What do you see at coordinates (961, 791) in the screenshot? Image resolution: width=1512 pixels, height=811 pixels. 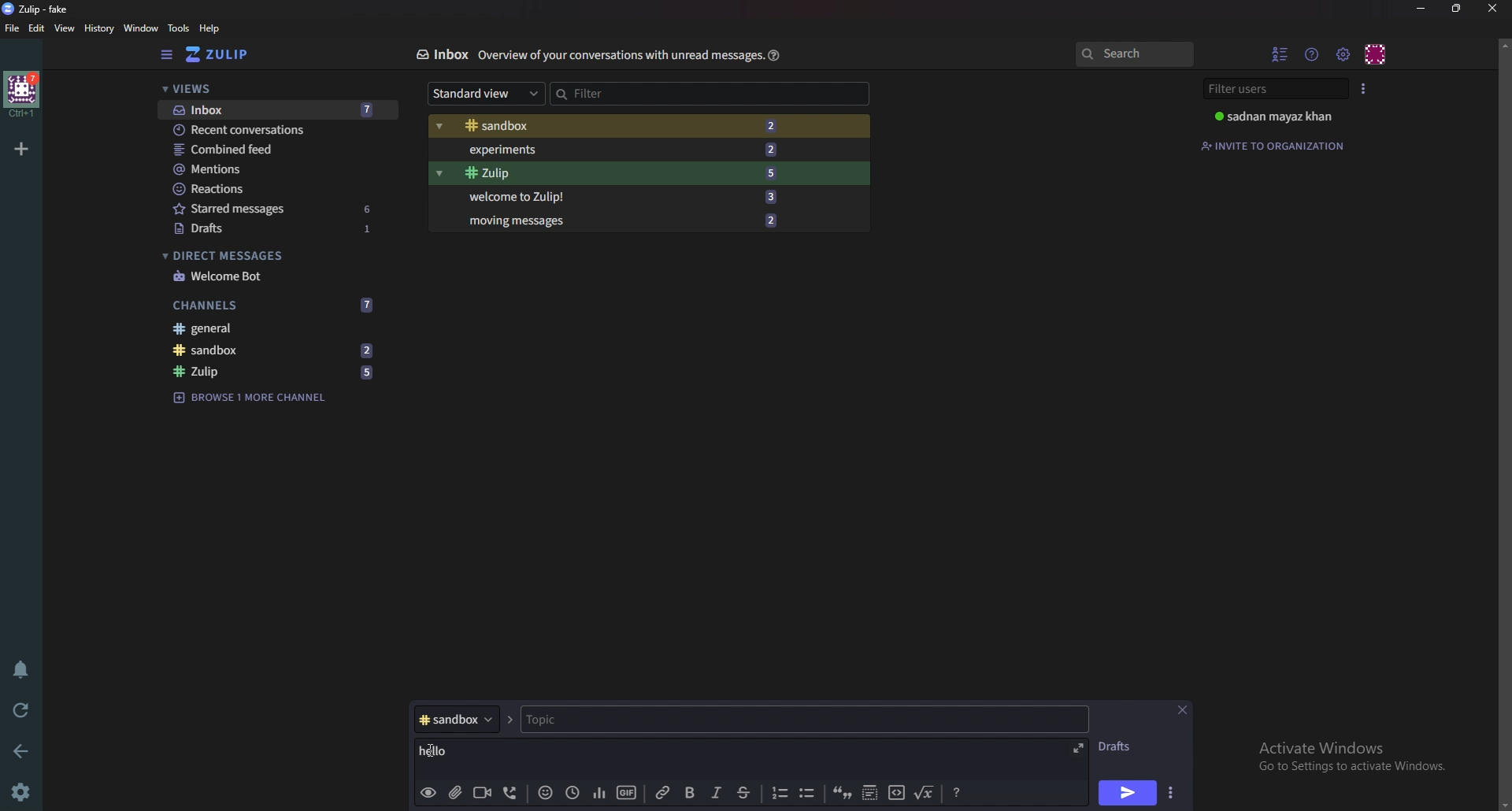 I see `message Formatting` at bounding box center [961, 791].